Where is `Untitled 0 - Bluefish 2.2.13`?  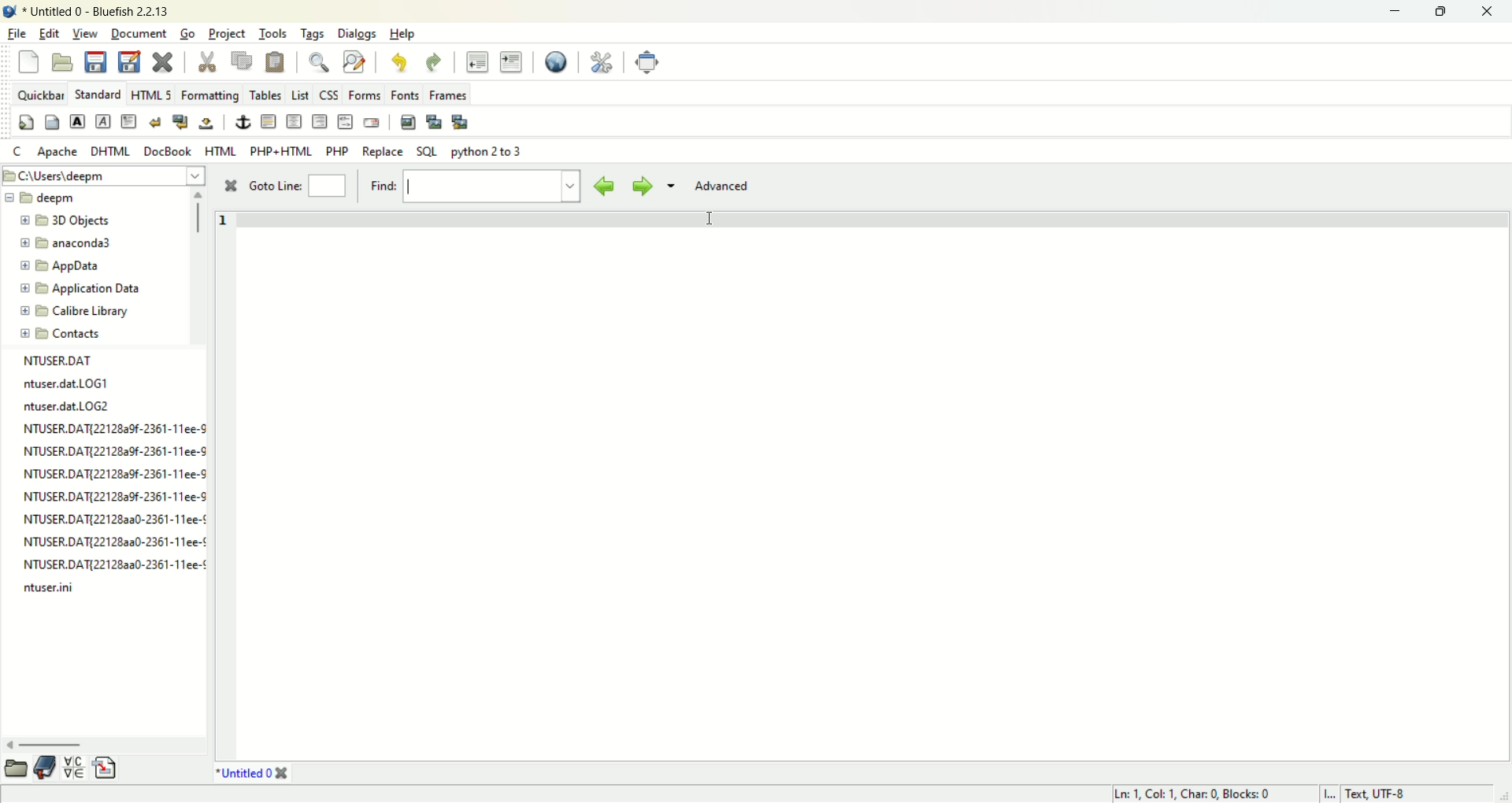
Untitled 0 - Bluefish 2.2.13 is located at coordinates (96, 13).